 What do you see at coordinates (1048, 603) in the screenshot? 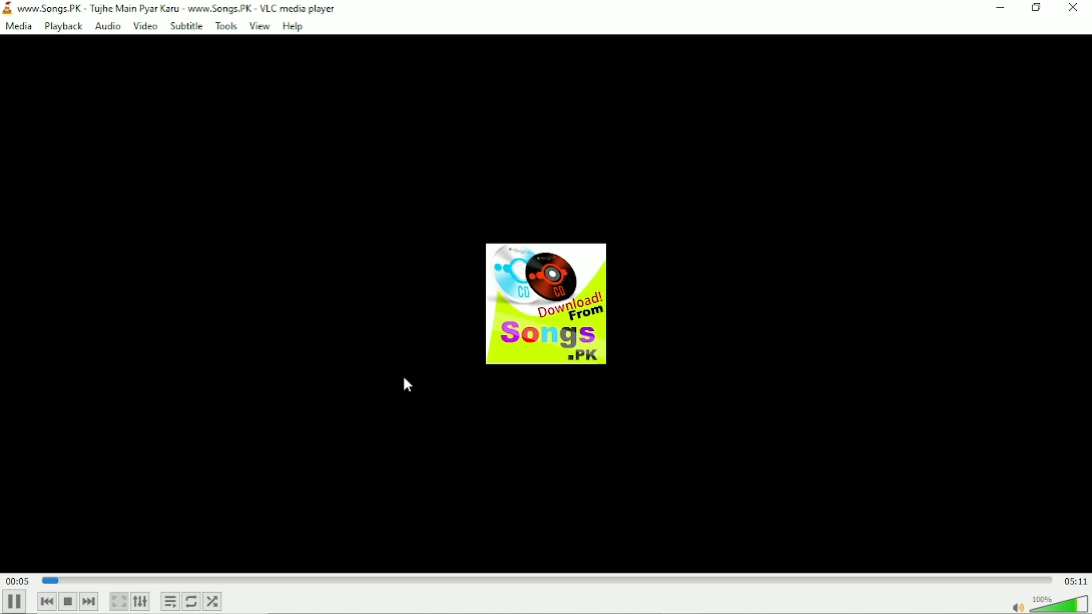
I see `Volume` at bounding box center [1048, 603].